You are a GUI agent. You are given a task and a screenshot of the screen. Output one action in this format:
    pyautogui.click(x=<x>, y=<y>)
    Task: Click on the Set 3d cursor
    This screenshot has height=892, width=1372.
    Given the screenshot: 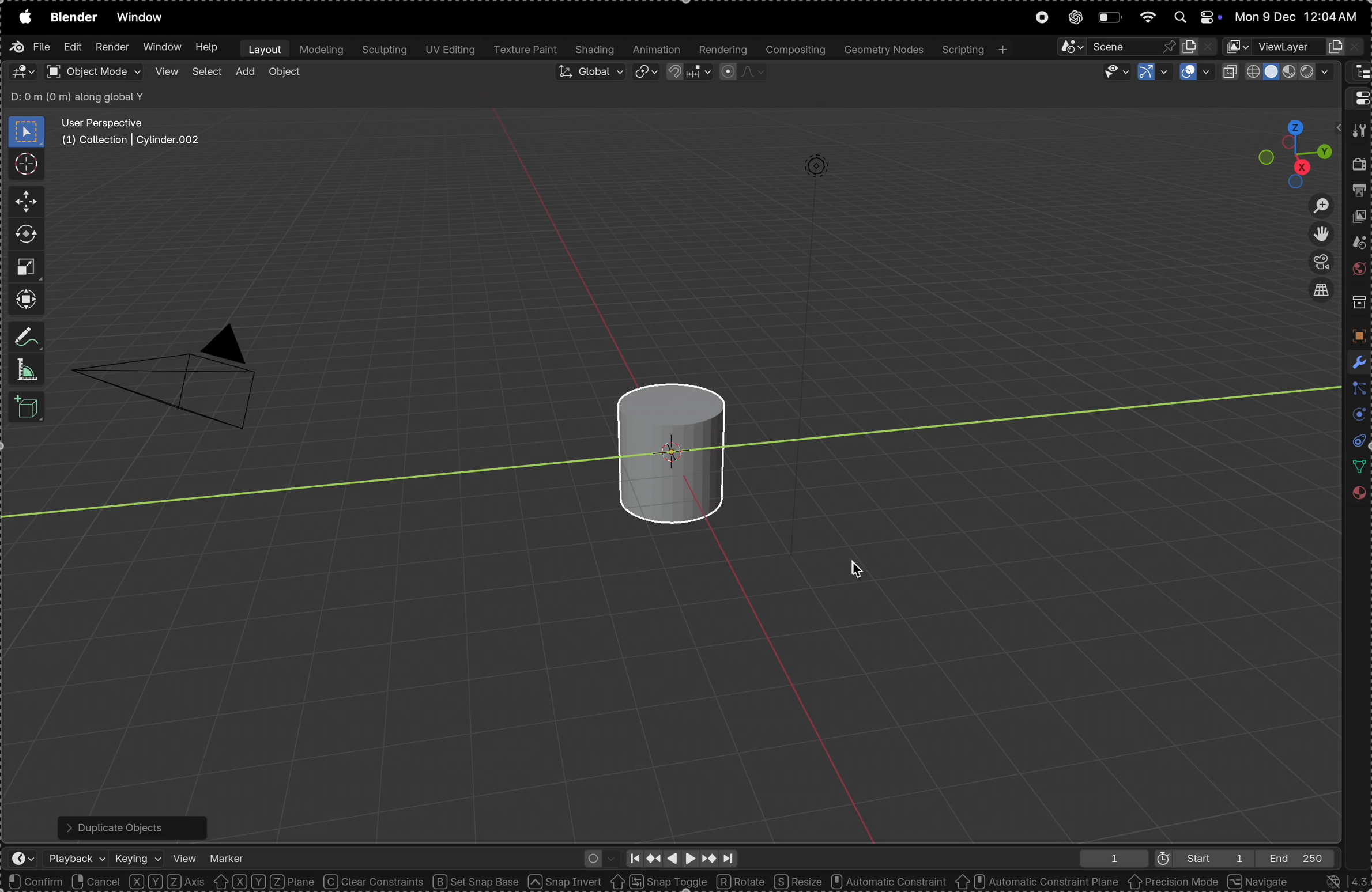 What is the action you would take?
    pyautogui.click(x=221, y=882)
    